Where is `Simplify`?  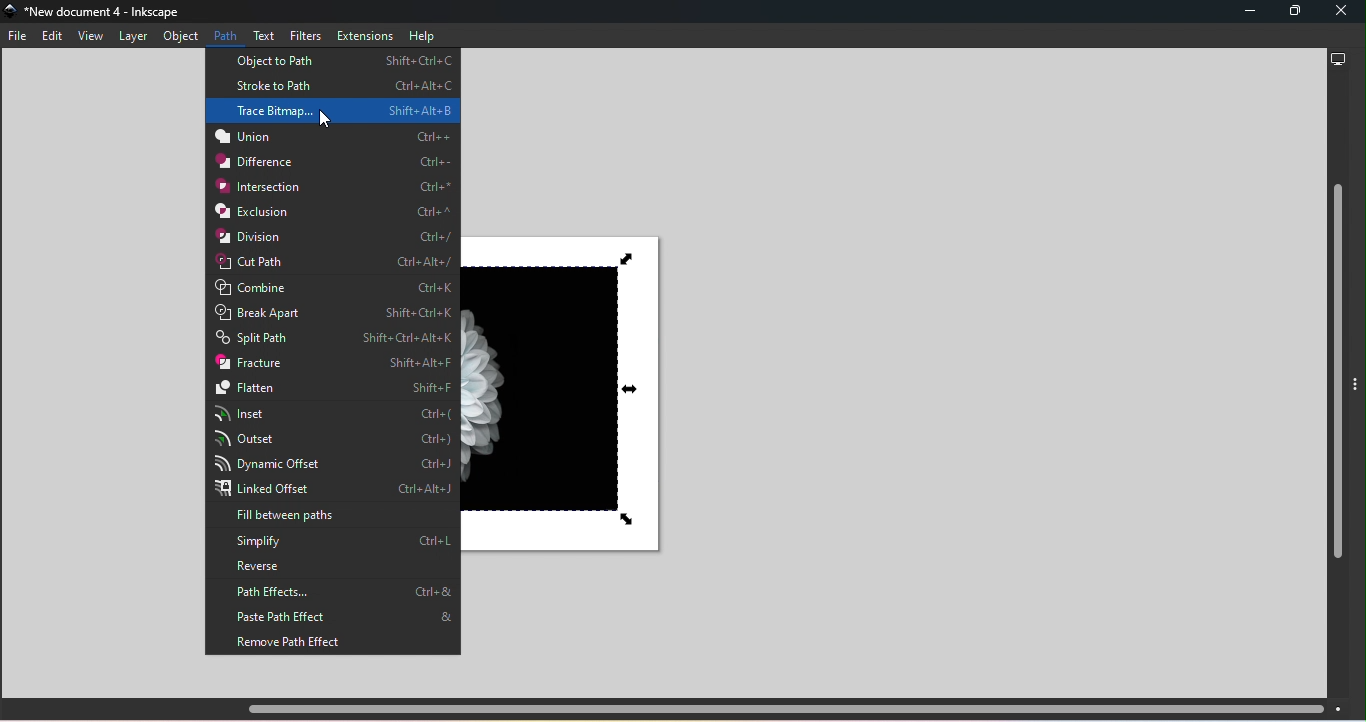
Simplify is located at coordinates (337, 541).